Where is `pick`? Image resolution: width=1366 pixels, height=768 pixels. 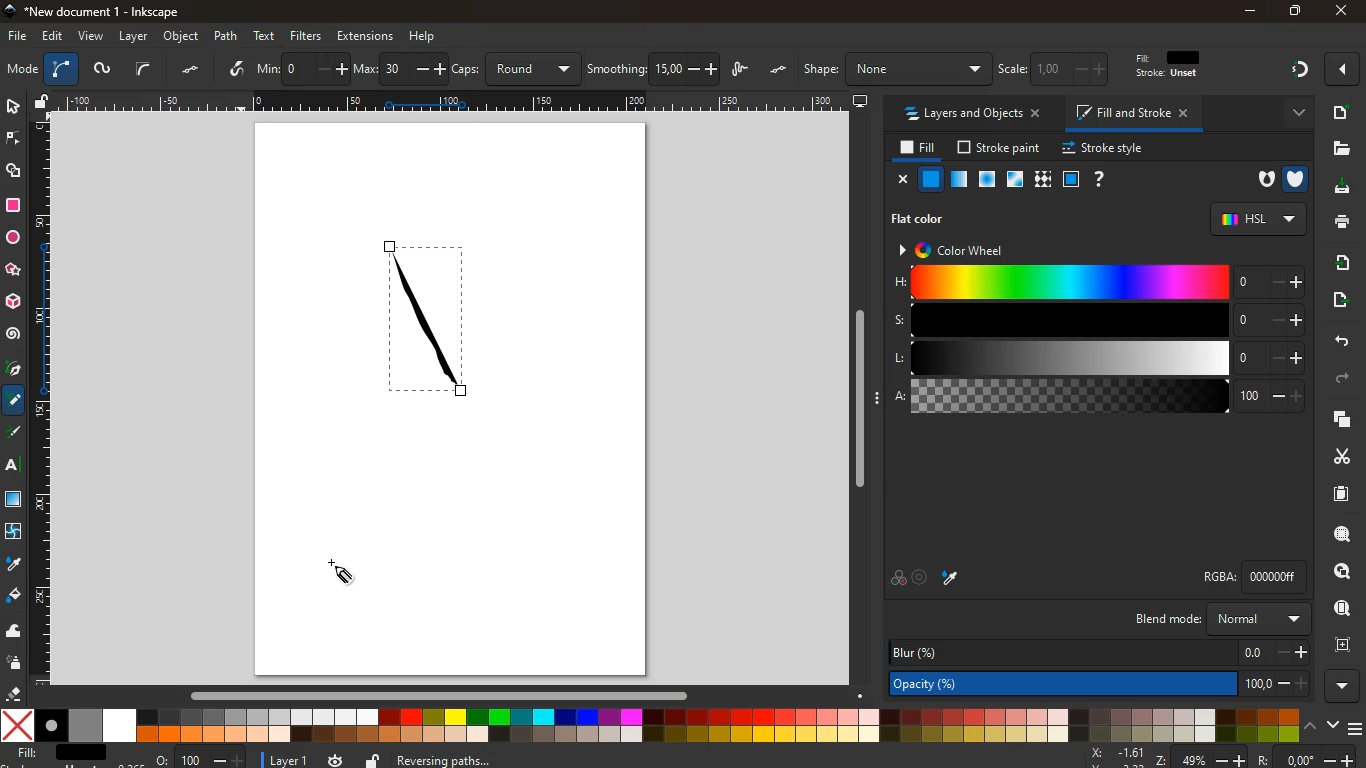 pick is located at coordinates (12, 370).